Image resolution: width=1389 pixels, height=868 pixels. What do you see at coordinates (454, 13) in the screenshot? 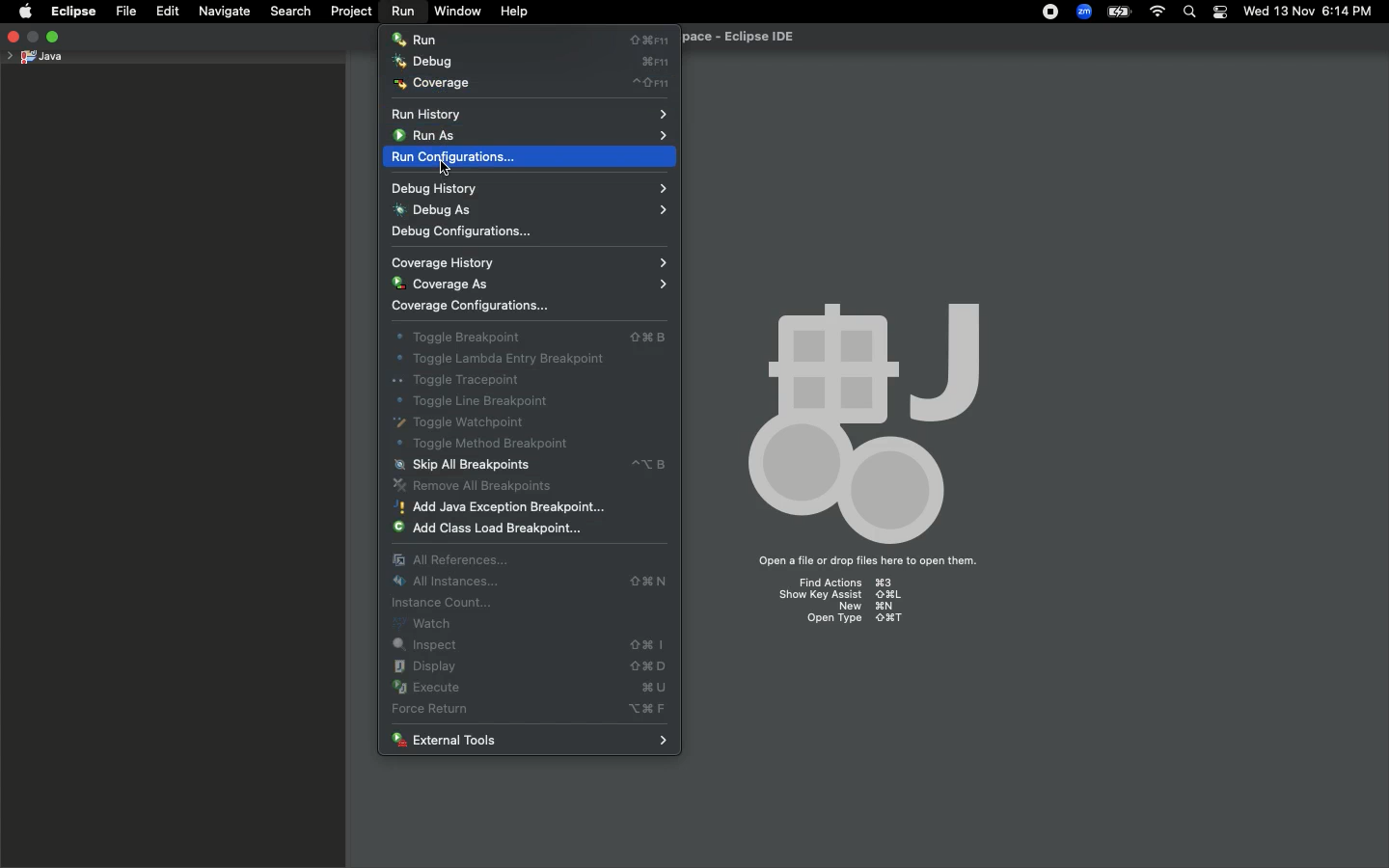
I see `Window` at bounding box center [454, 13].